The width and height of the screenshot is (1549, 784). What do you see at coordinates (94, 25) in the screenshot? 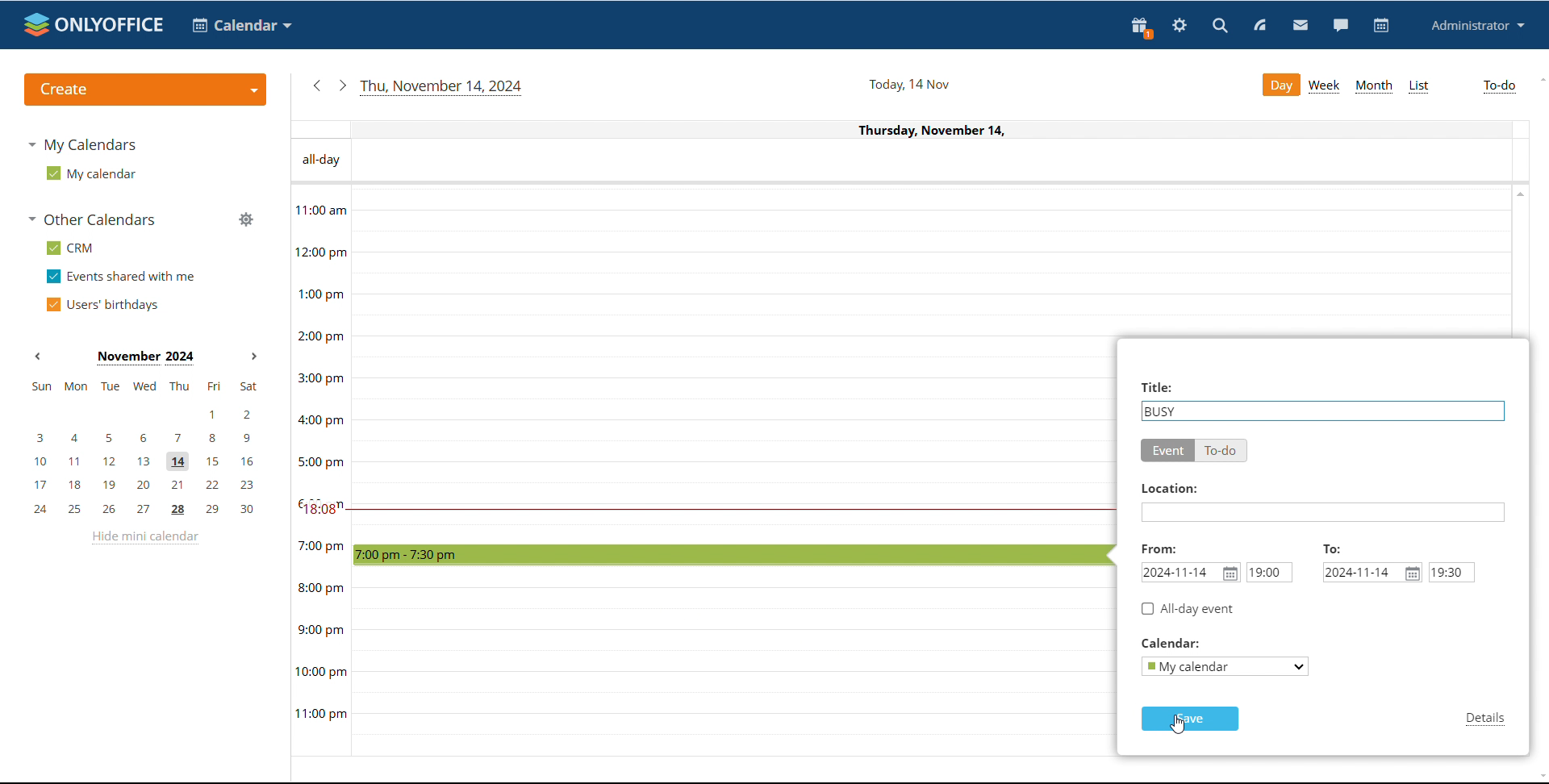
I see `logo` at bounding box center [94, 25].